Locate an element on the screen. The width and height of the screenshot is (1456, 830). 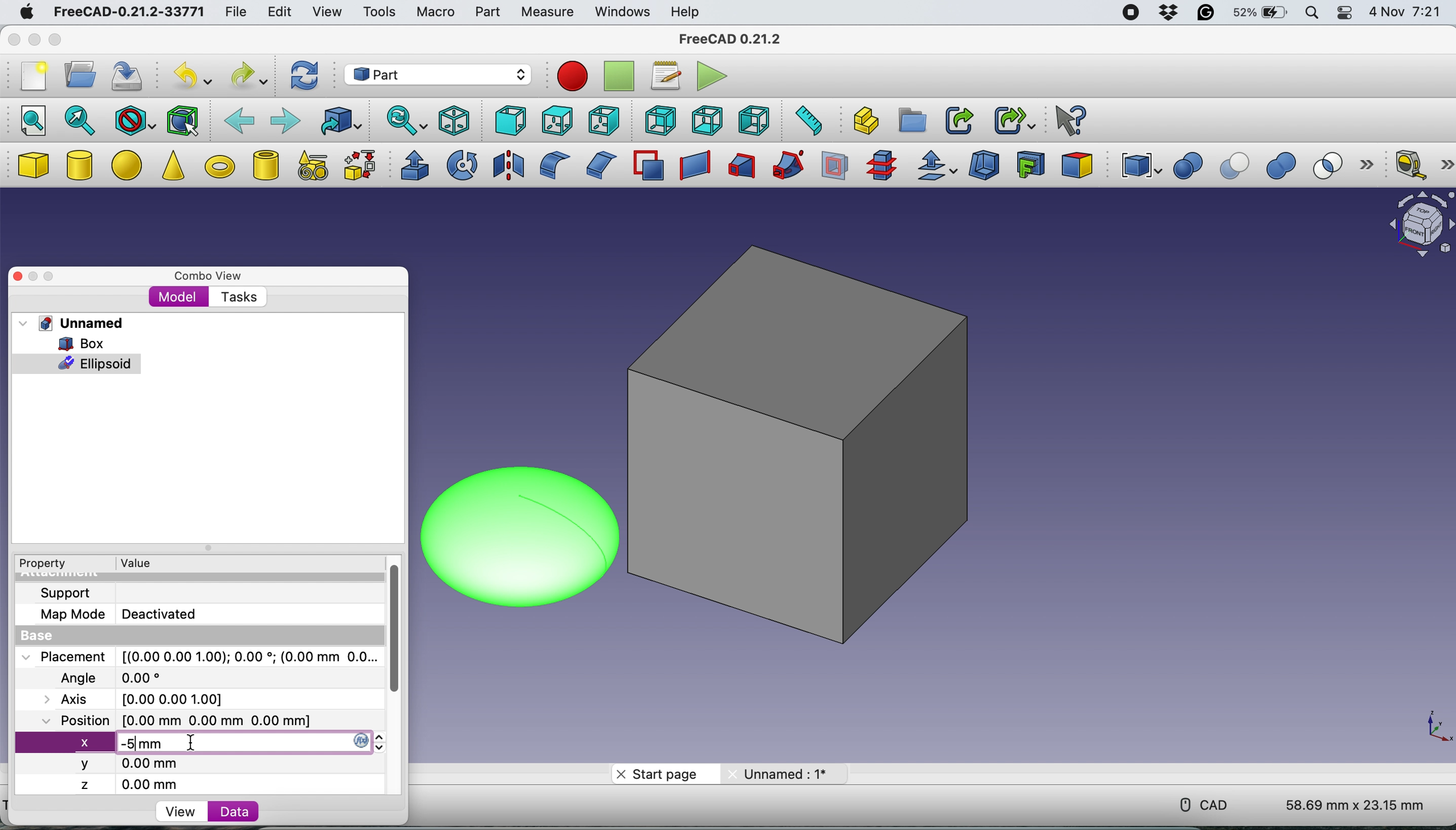
base is located at coordinates (32, 636).